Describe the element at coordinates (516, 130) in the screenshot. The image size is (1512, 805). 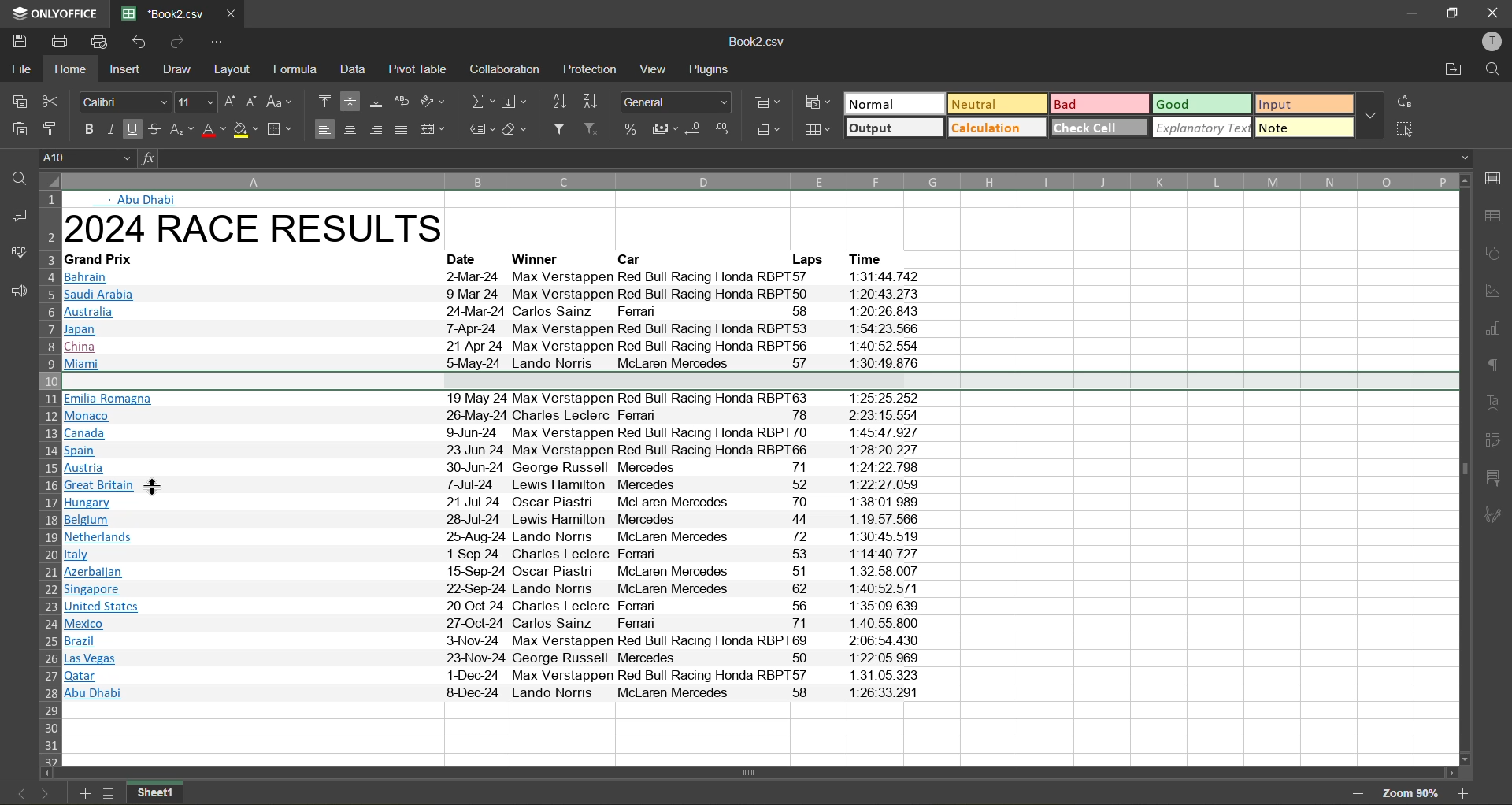
I see `clear` at that location.